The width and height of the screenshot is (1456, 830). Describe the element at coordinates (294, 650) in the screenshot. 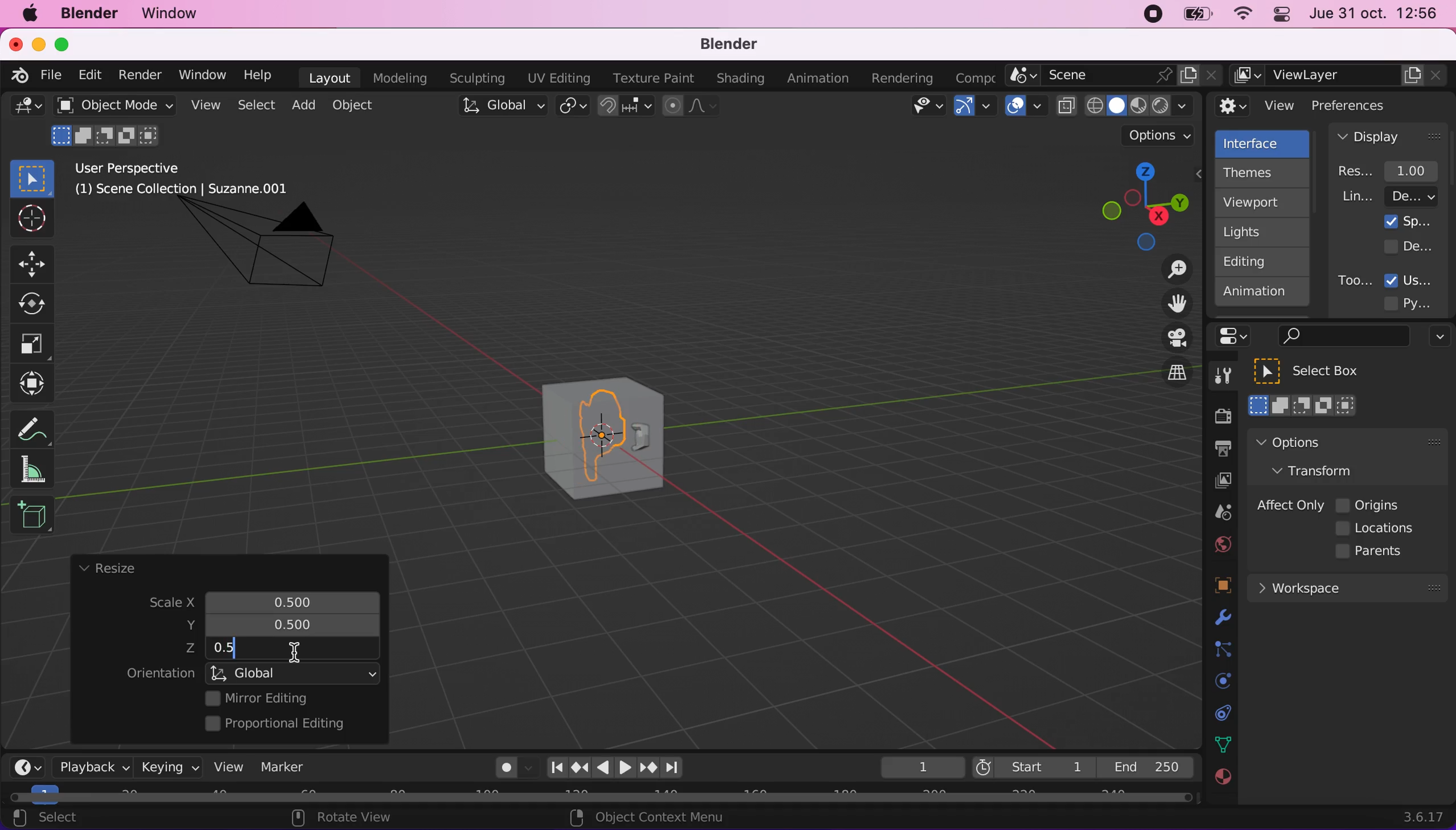

I see `cursor` at that location.